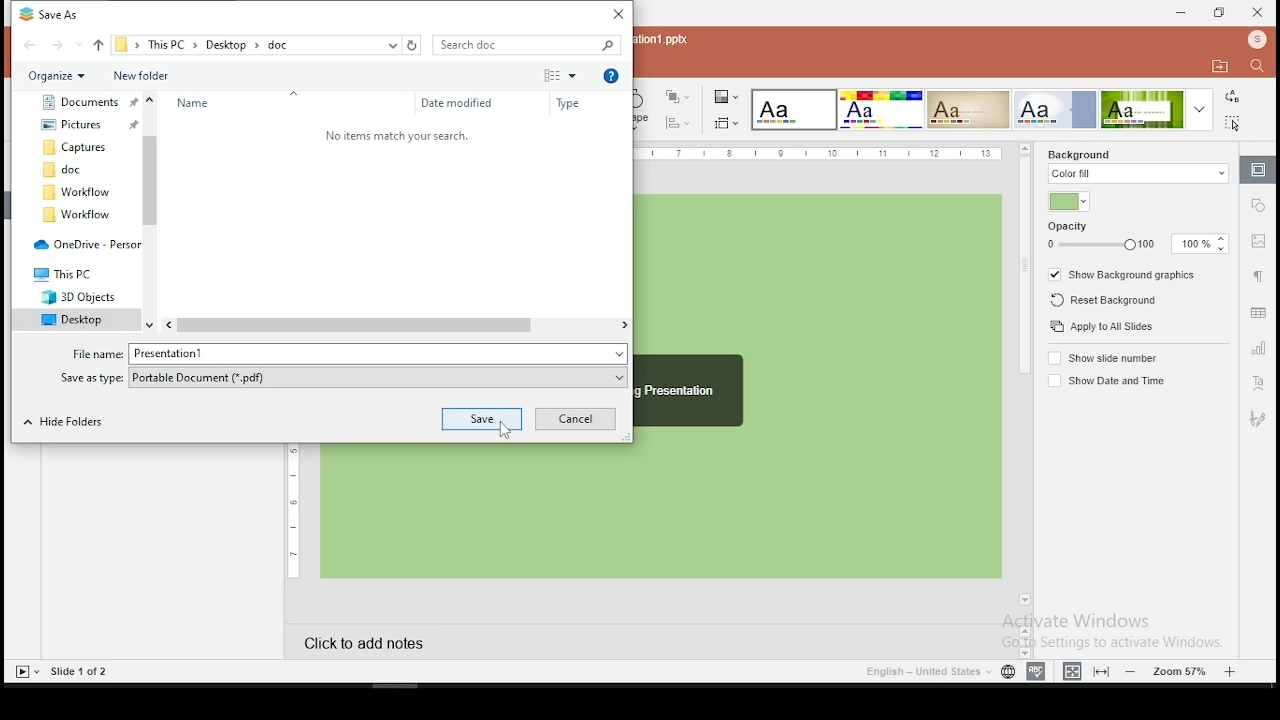  Describe the element at coordinates (391, 45) in the screenshot. I see `previous locations` at that location.